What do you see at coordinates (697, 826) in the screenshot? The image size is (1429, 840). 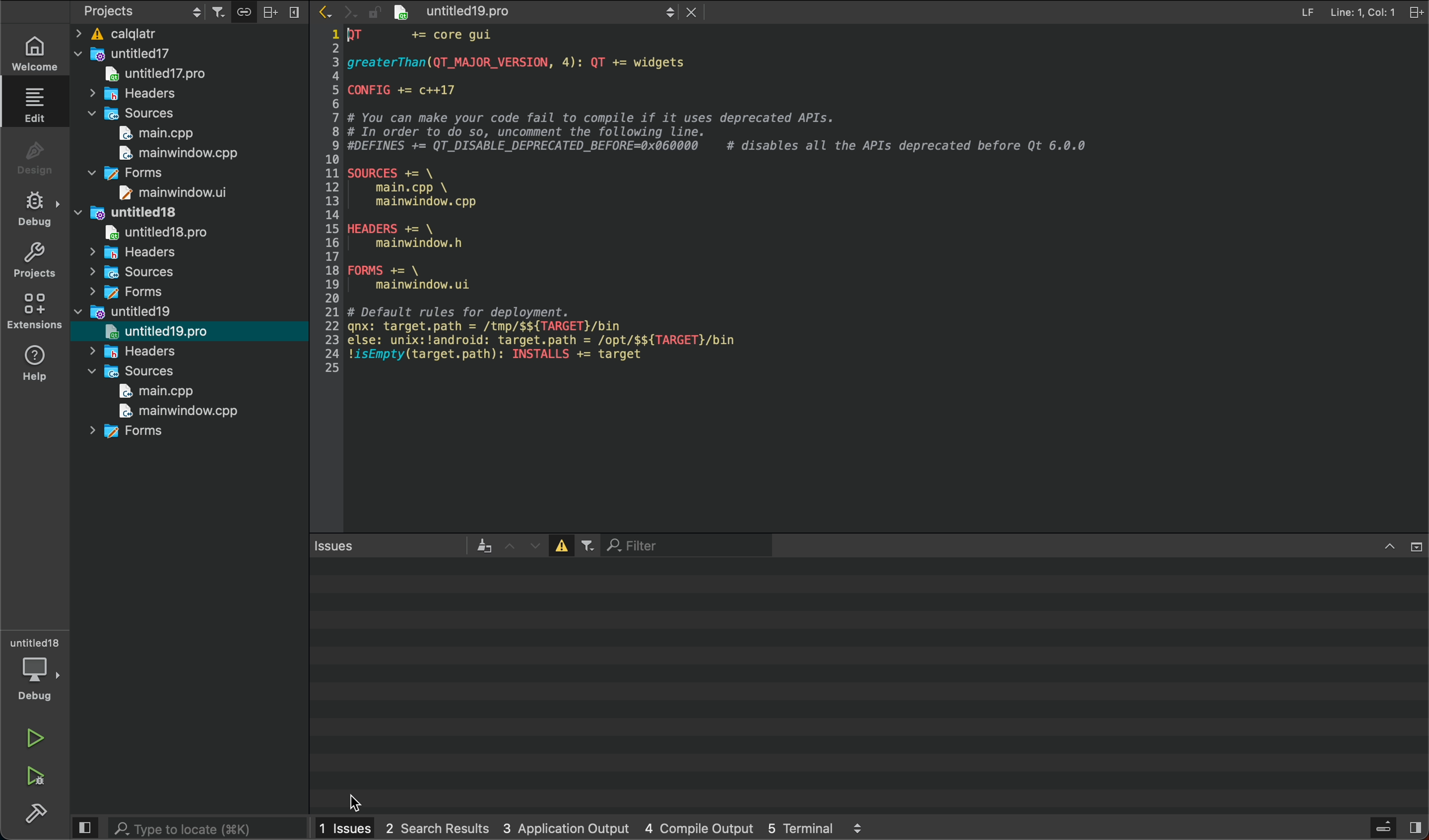 I see `4 compile output` at bounding box center [697, 826].